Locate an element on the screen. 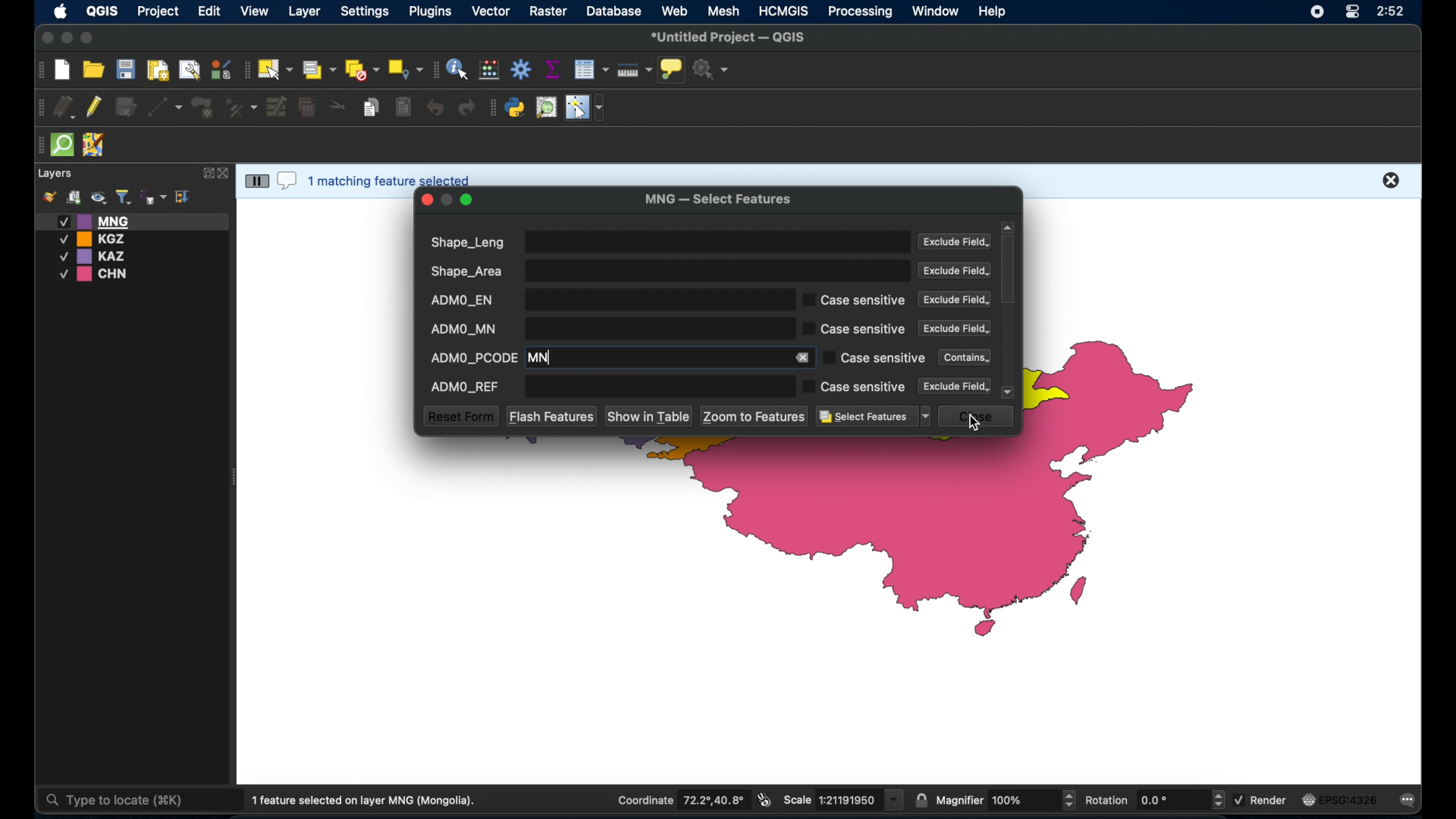 The width and height of the screenshot is (1456, 819). remove is located at coordinates (805, 358).